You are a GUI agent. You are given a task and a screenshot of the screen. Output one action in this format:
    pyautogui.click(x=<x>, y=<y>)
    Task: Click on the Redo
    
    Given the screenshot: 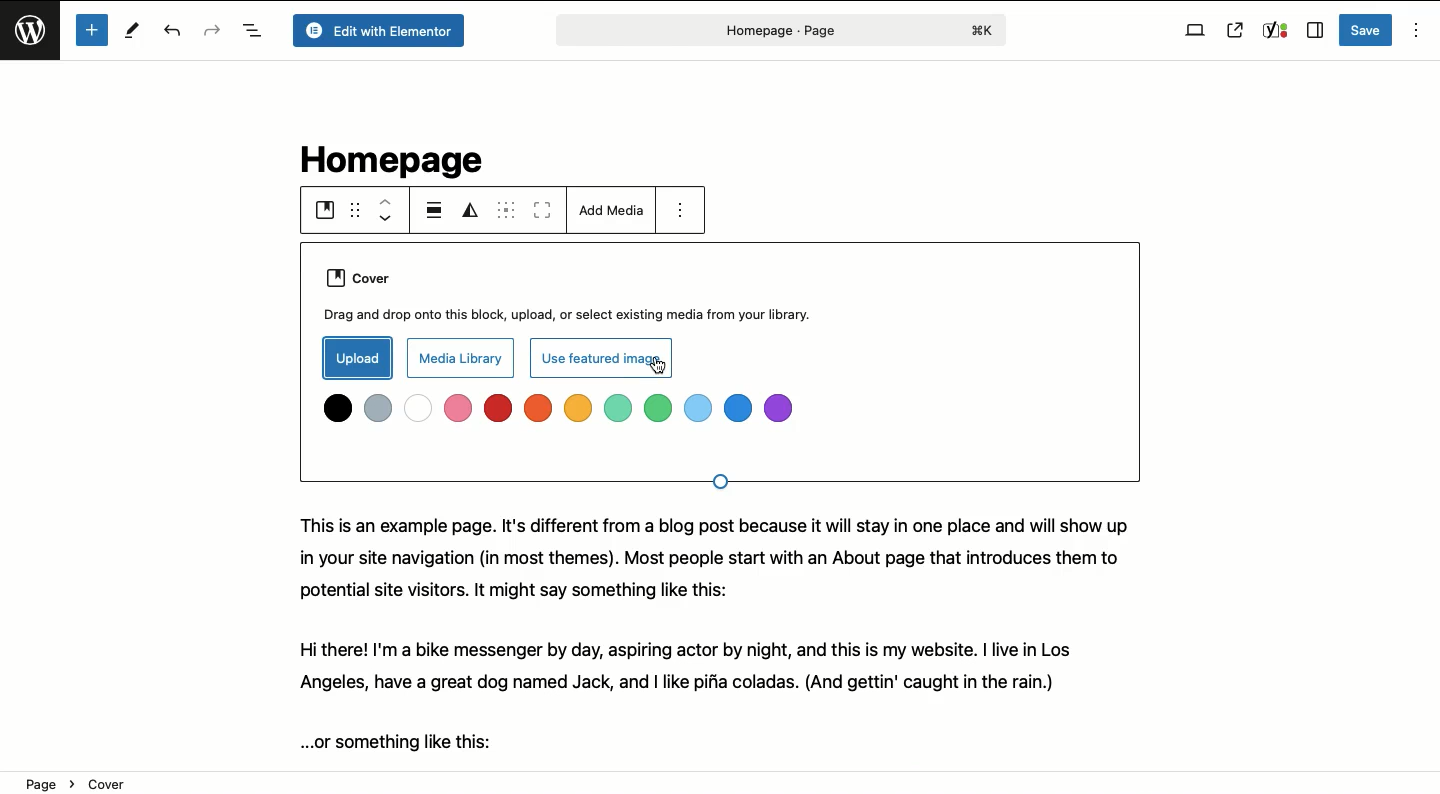 What is the action you would take?
    pyautogui.click(x=212, y=29)
    